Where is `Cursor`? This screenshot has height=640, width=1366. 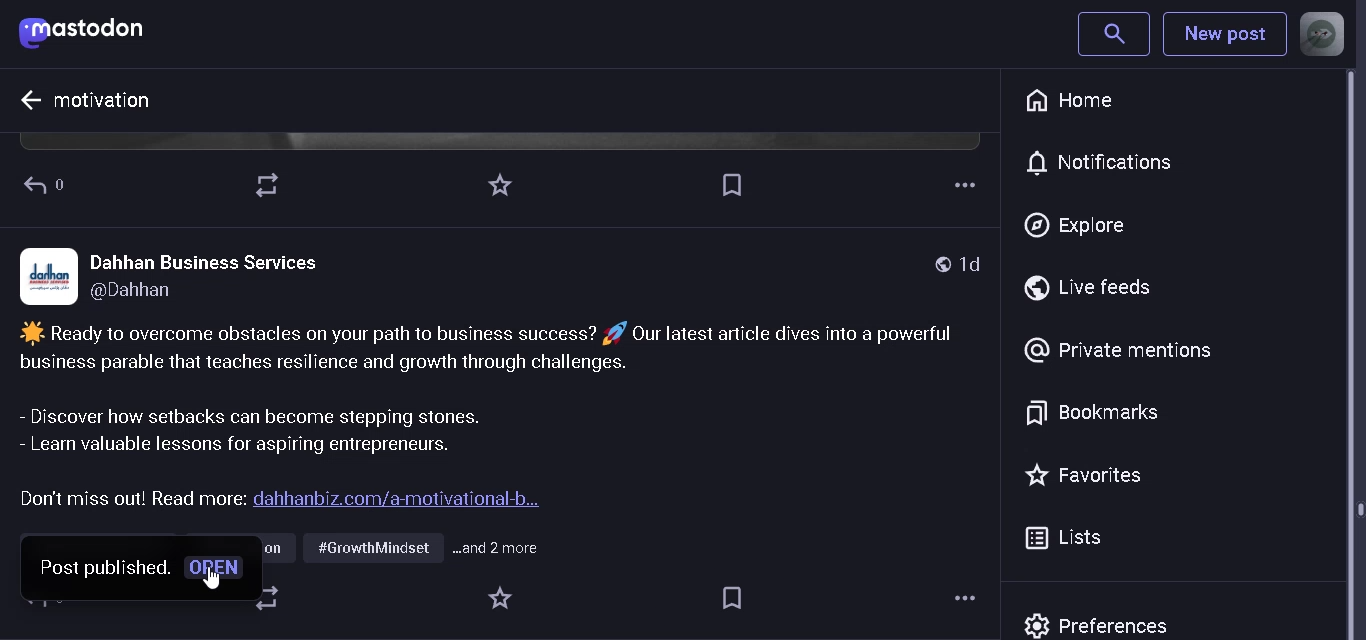 Cursor is located at coordinates (212, 586).